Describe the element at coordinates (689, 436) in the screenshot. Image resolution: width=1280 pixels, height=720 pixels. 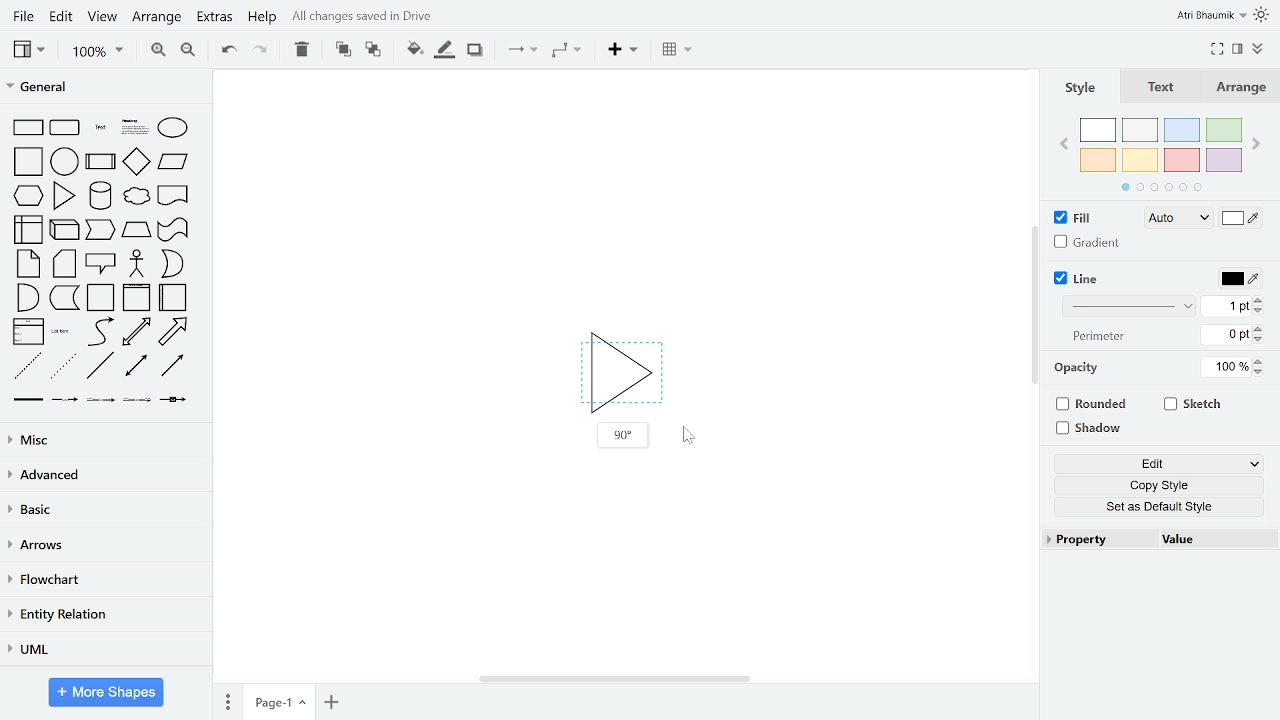
I see `Cursor` at that location.